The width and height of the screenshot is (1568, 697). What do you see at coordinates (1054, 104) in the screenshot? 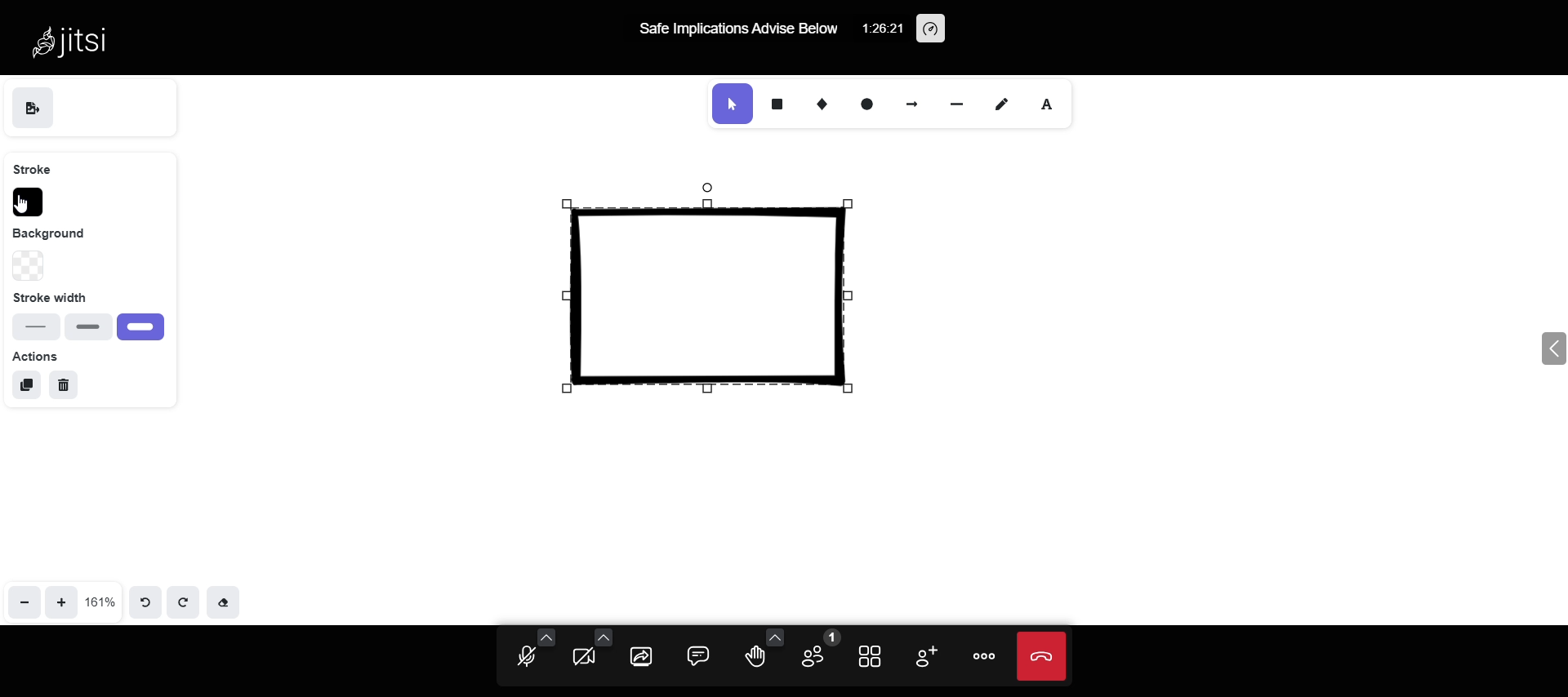
I see `font` at bounding box center [1054, 104].